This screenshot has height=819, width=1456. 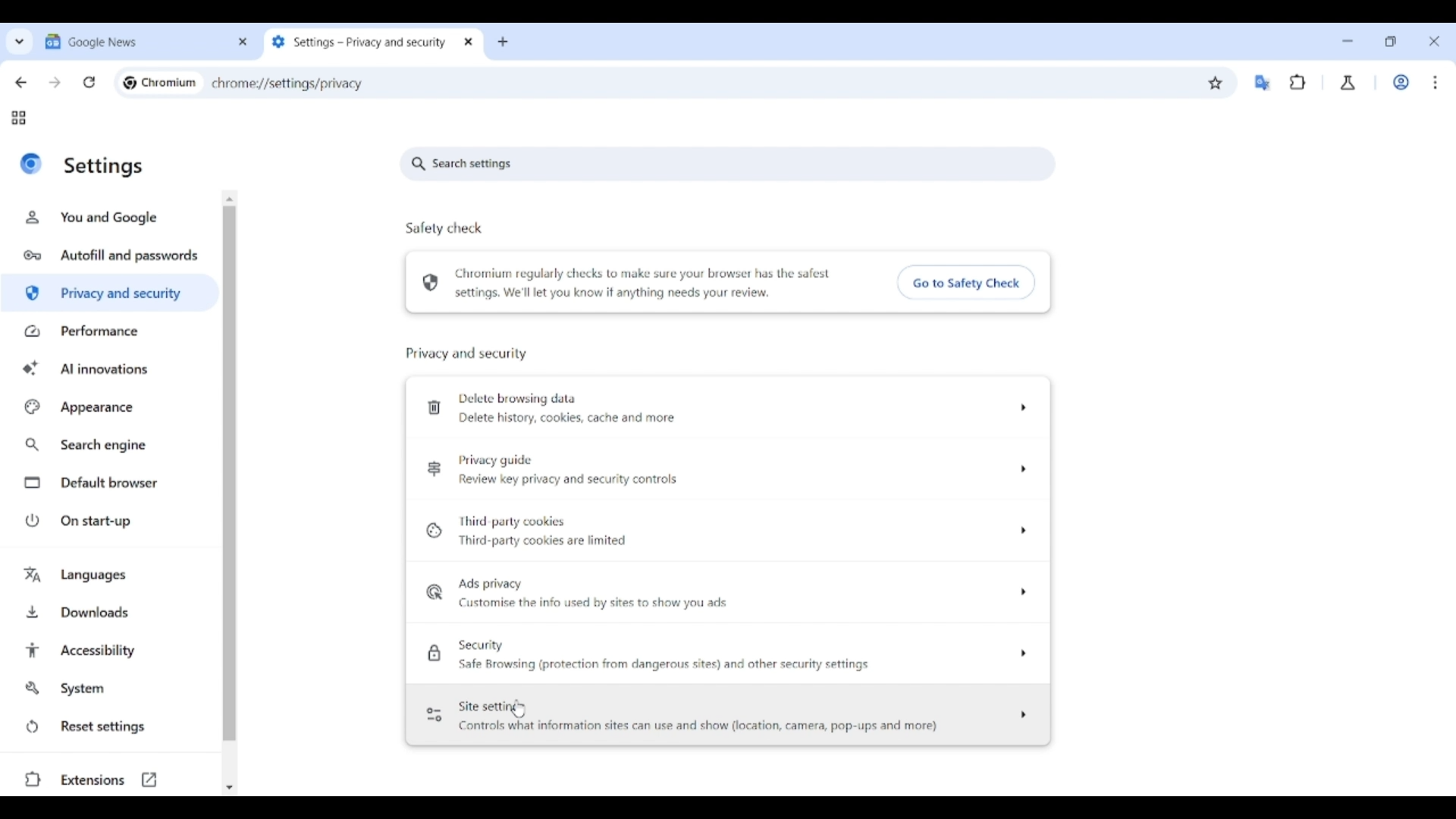 What do you see at coordinates (243, 42) in the screenshot?
I see `Close tab 1` at bounding box center [243, 42].